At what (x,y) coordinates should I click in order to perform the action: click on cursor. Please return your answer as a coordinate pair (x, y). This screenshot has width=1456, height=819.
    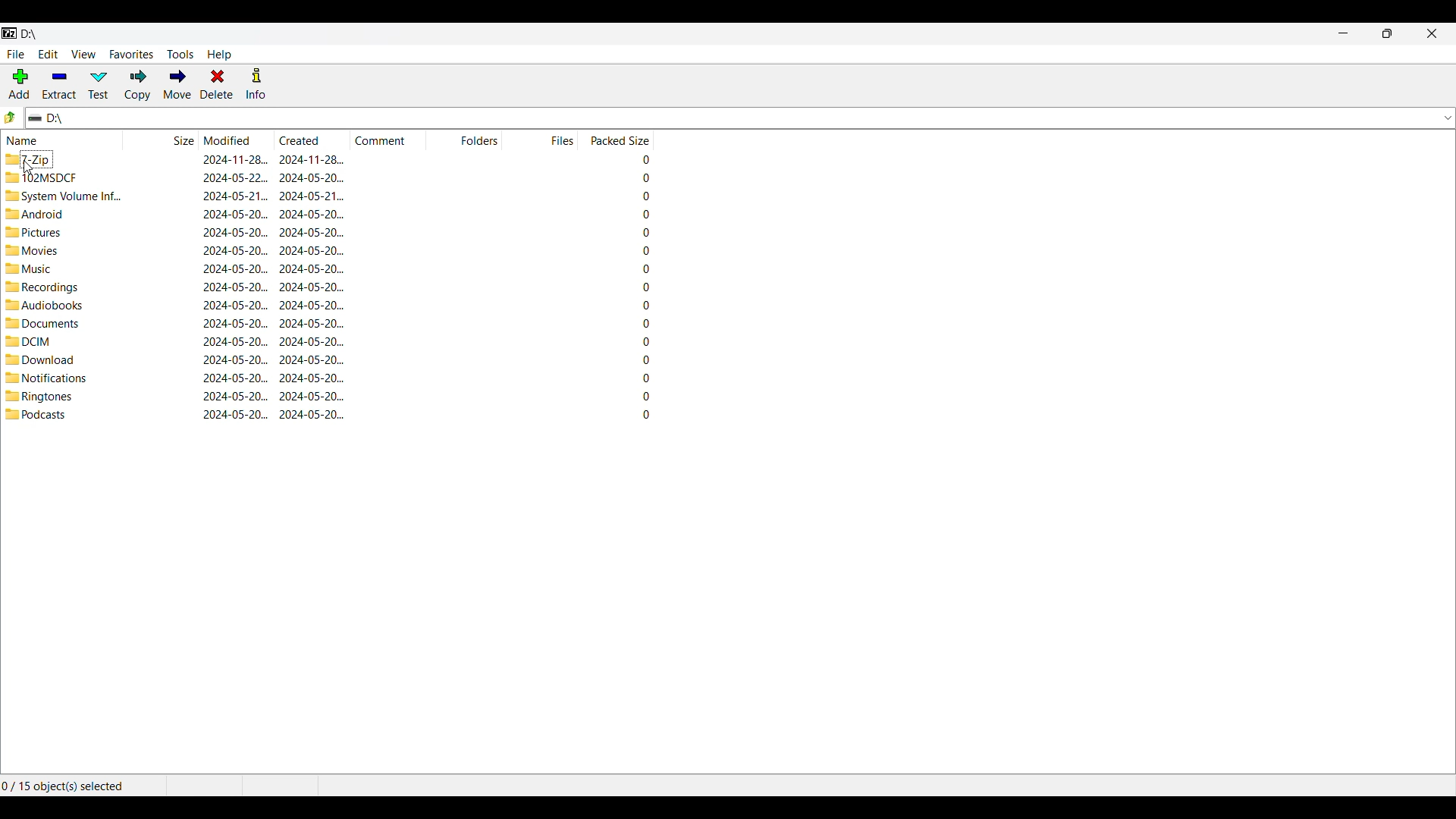
    Looking at the image, I should click on (30, 168).